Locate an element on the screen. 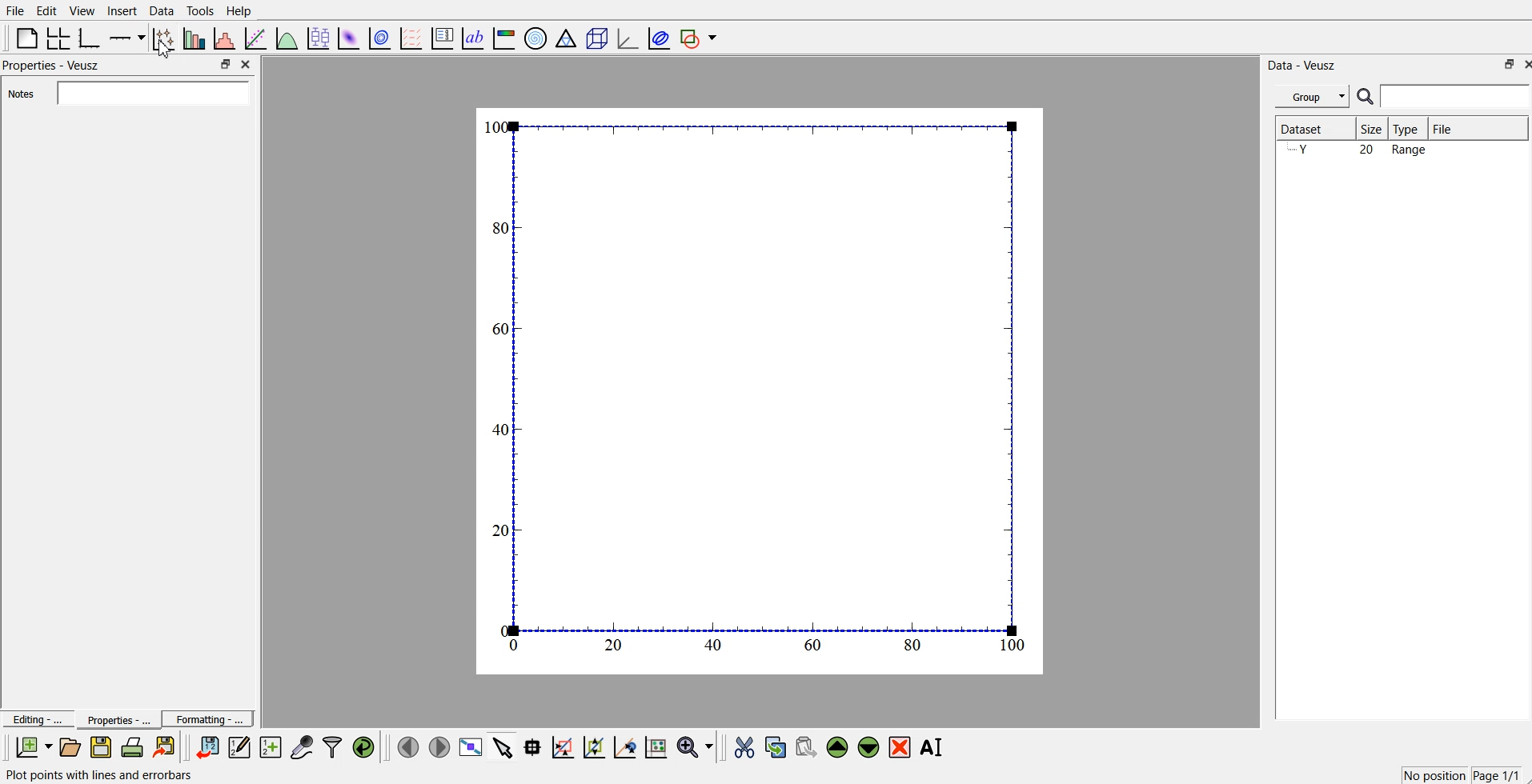 The image size is (1532, 784). Close is located at coordinates (248, 66).